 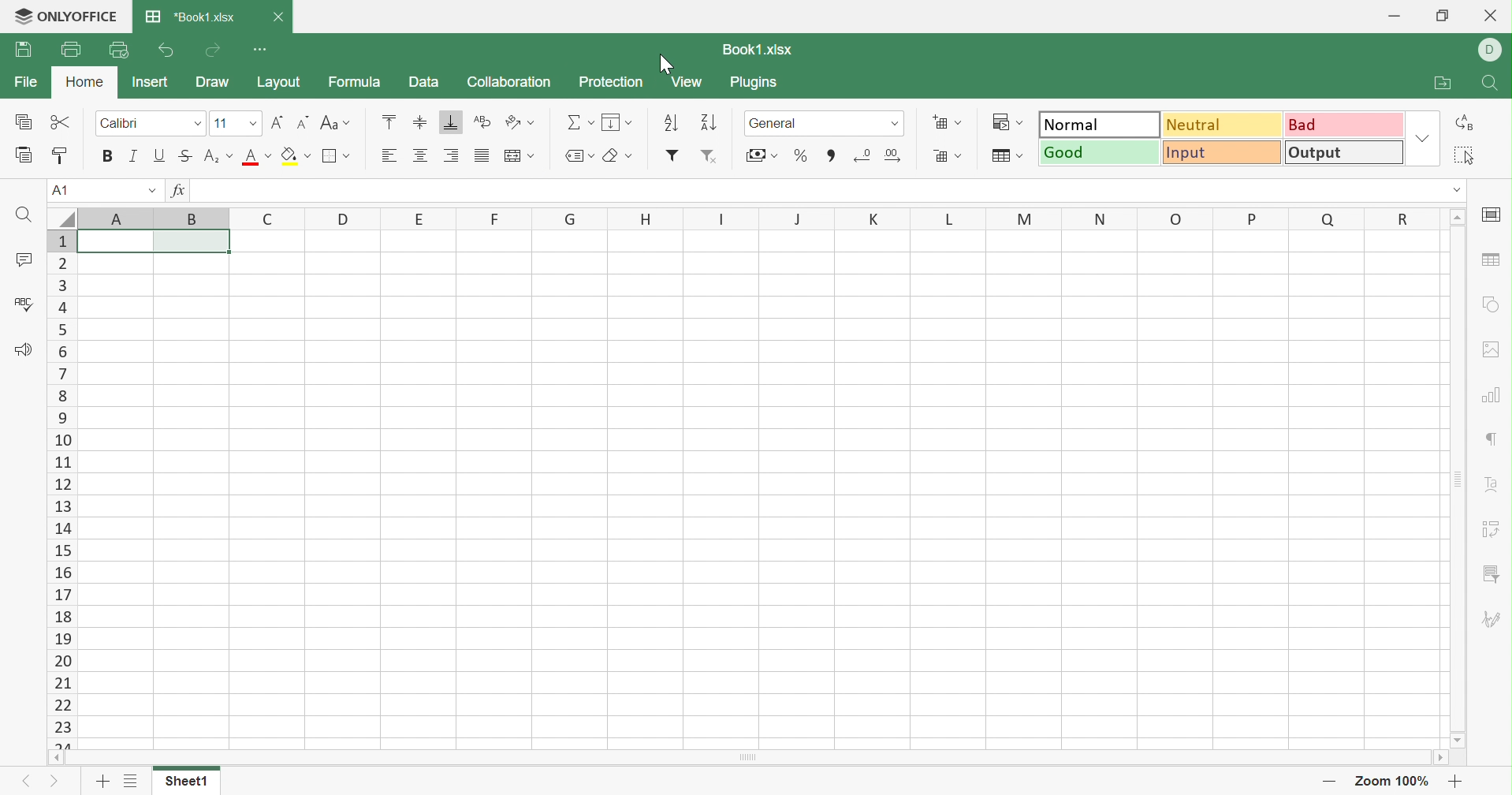 I want to click on Replace, so click(x=1466, y=123).